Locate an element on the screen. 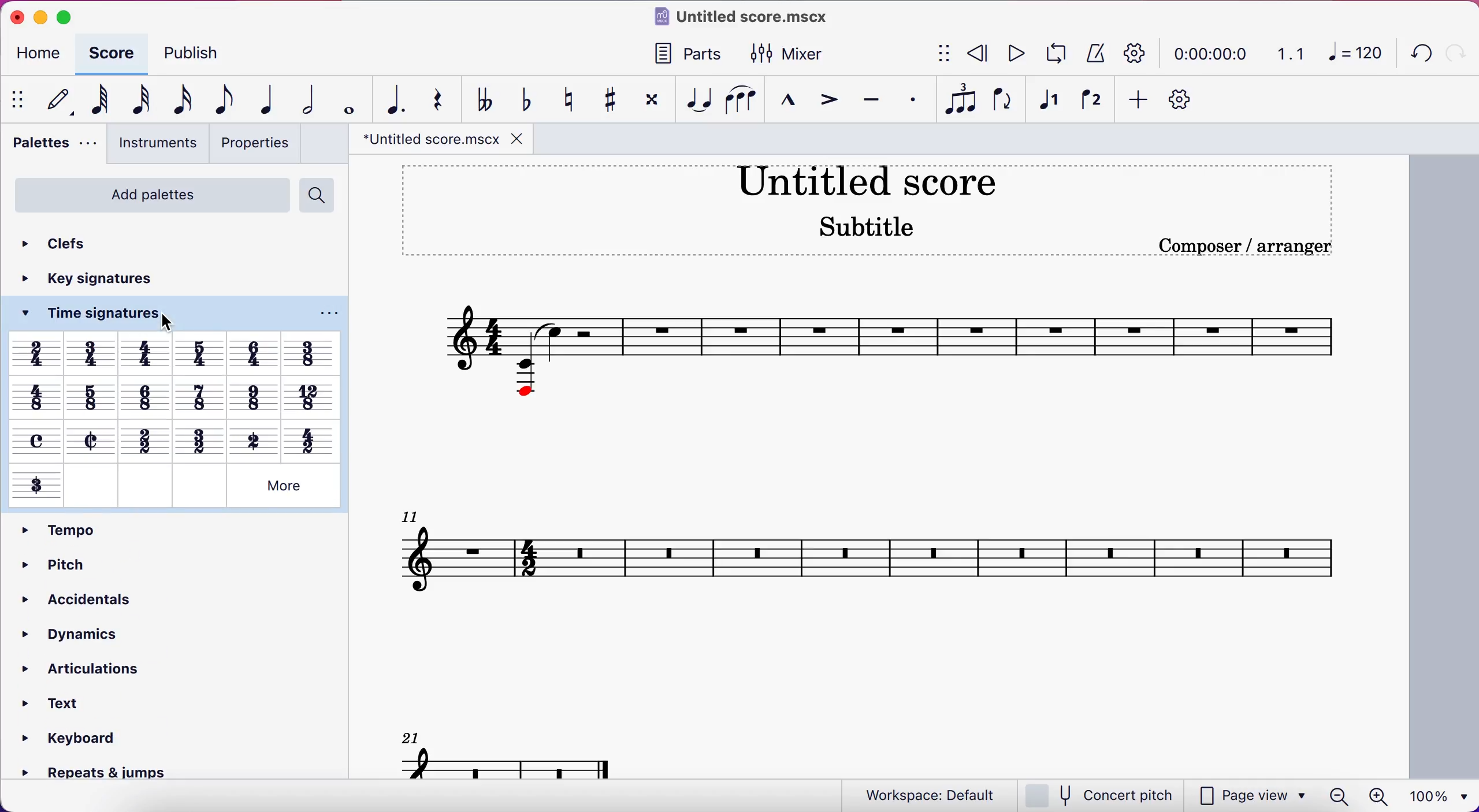  add is located at coordinates (1139, 100).